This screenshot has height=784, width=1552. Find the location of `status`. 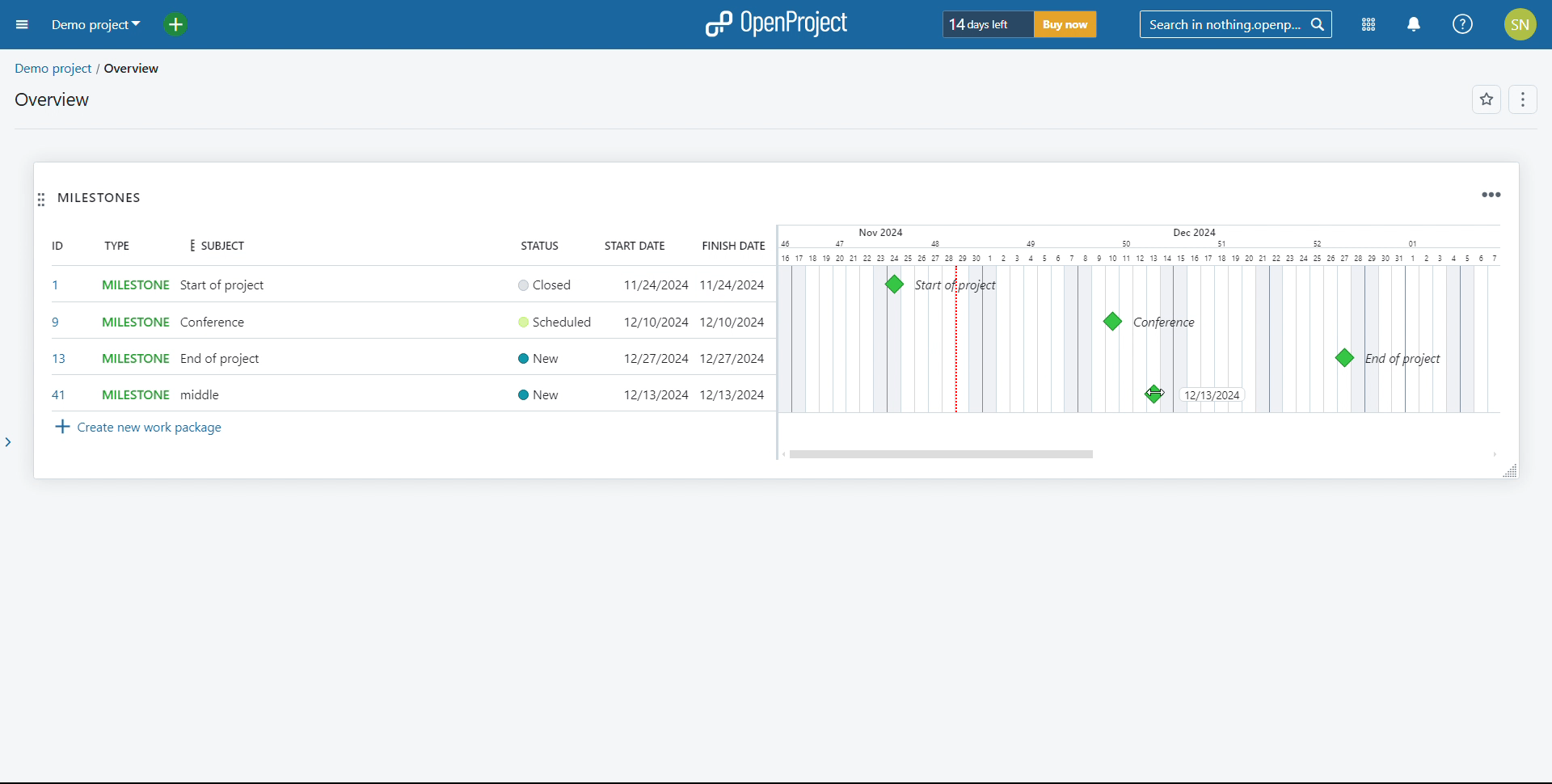

status is located at coordinates (540, 244).